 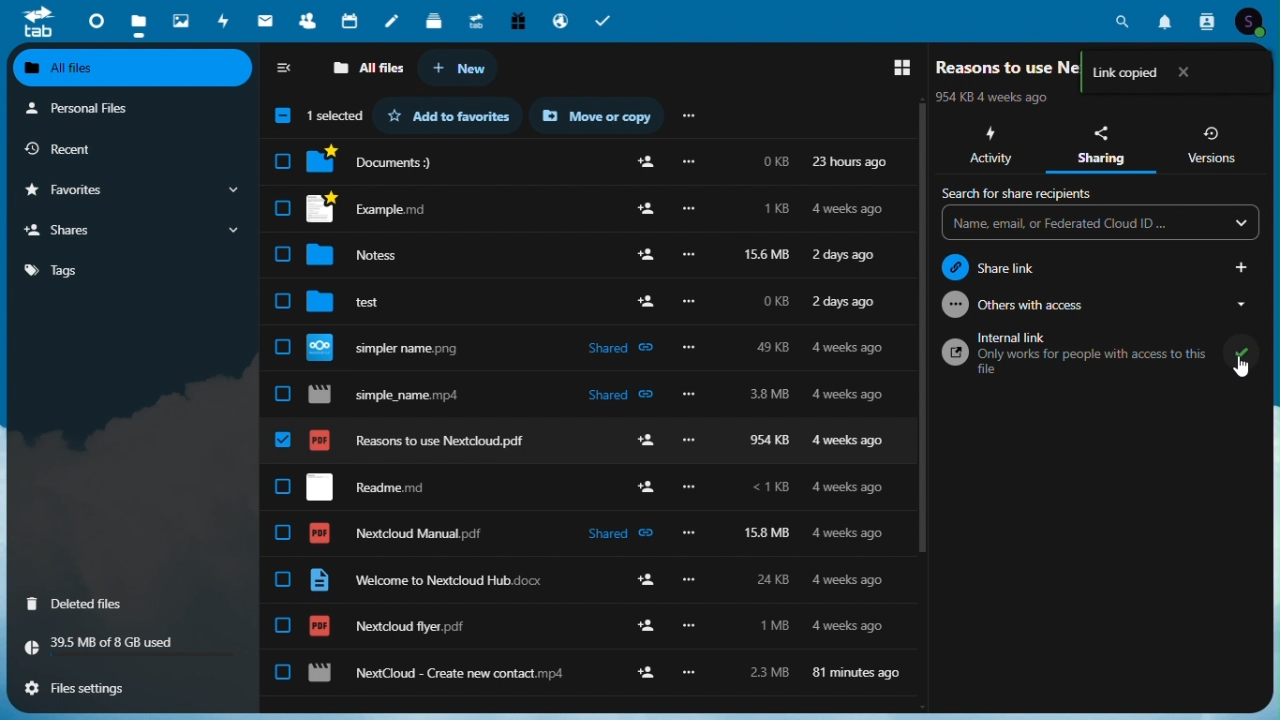 I want to click on Search for share recipients, so click(x=1102, y=212).